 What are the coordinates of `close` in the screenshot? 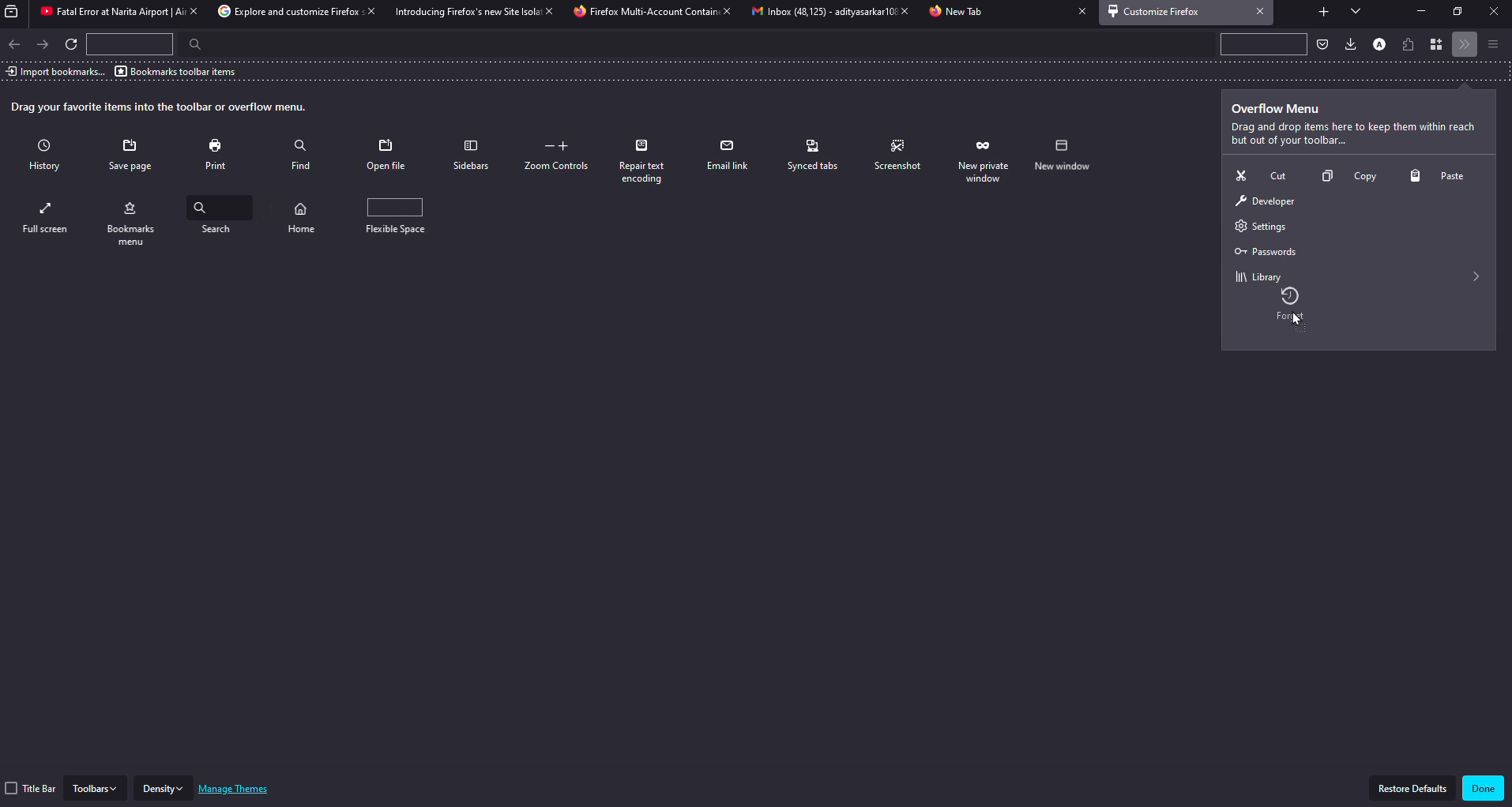 It's located at (1492, 12).